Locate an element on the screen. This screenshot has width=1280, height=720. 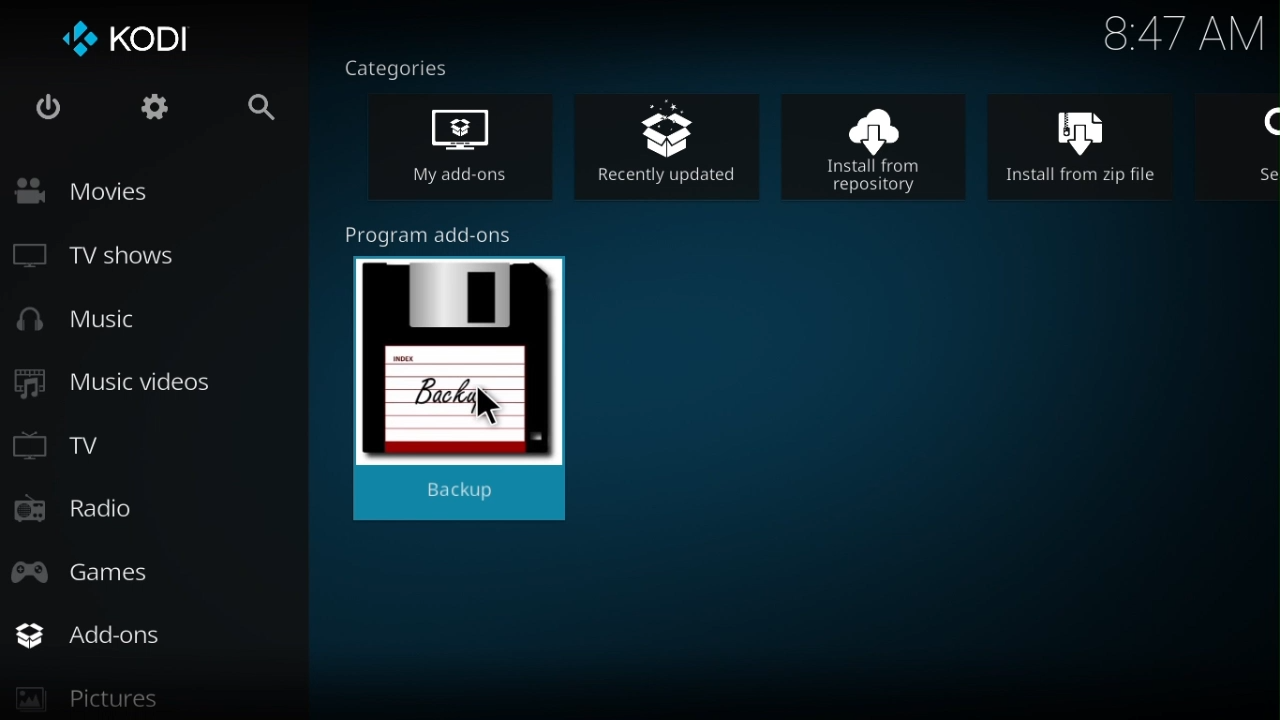
My add- on is located at coordinates (477, 150).